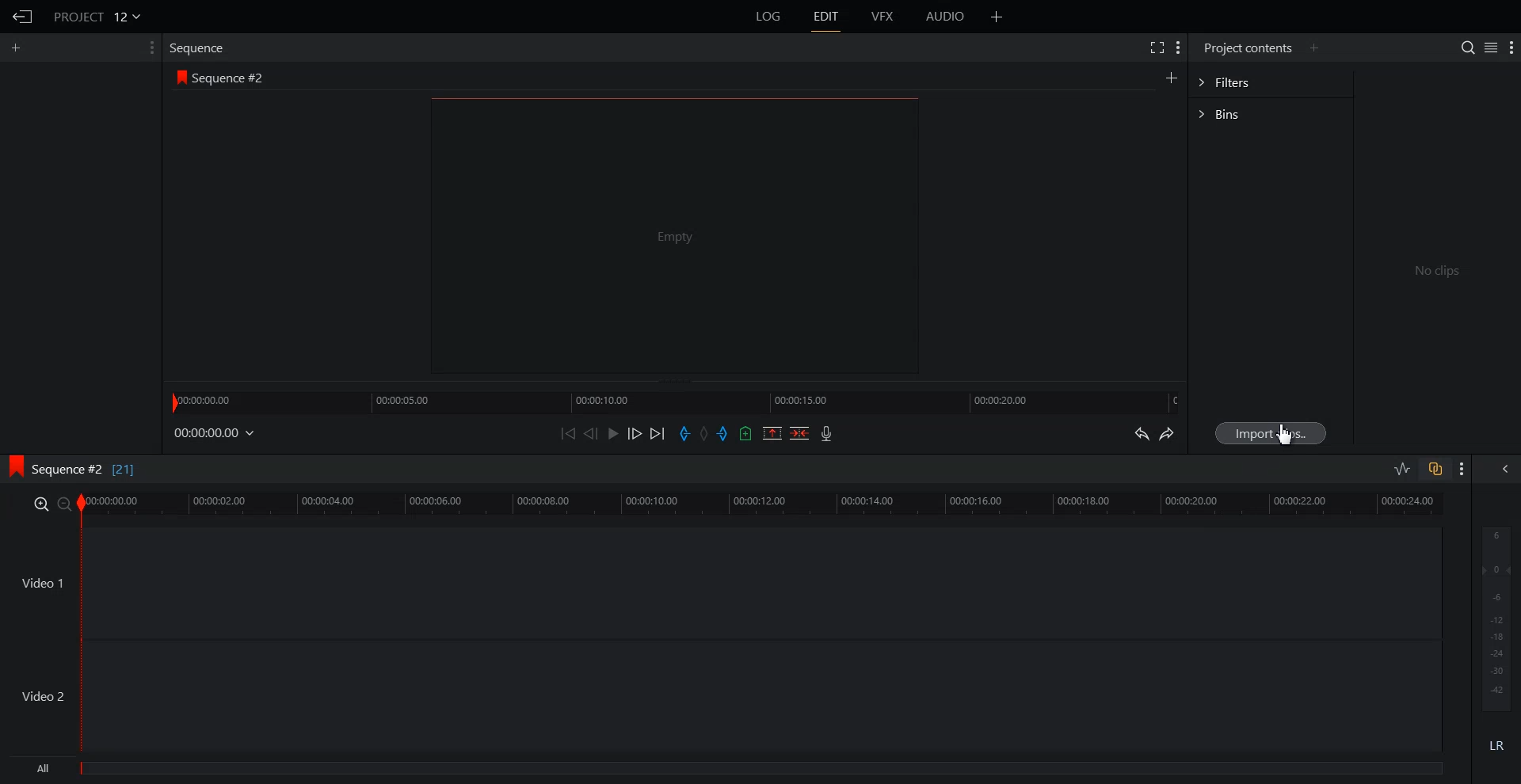 This screenshot has width=1521, height=784. What do you see at coordinates (684, 434) in the screenshot?
I see `Add in mark in the current video` at bounding box center [684, 434].